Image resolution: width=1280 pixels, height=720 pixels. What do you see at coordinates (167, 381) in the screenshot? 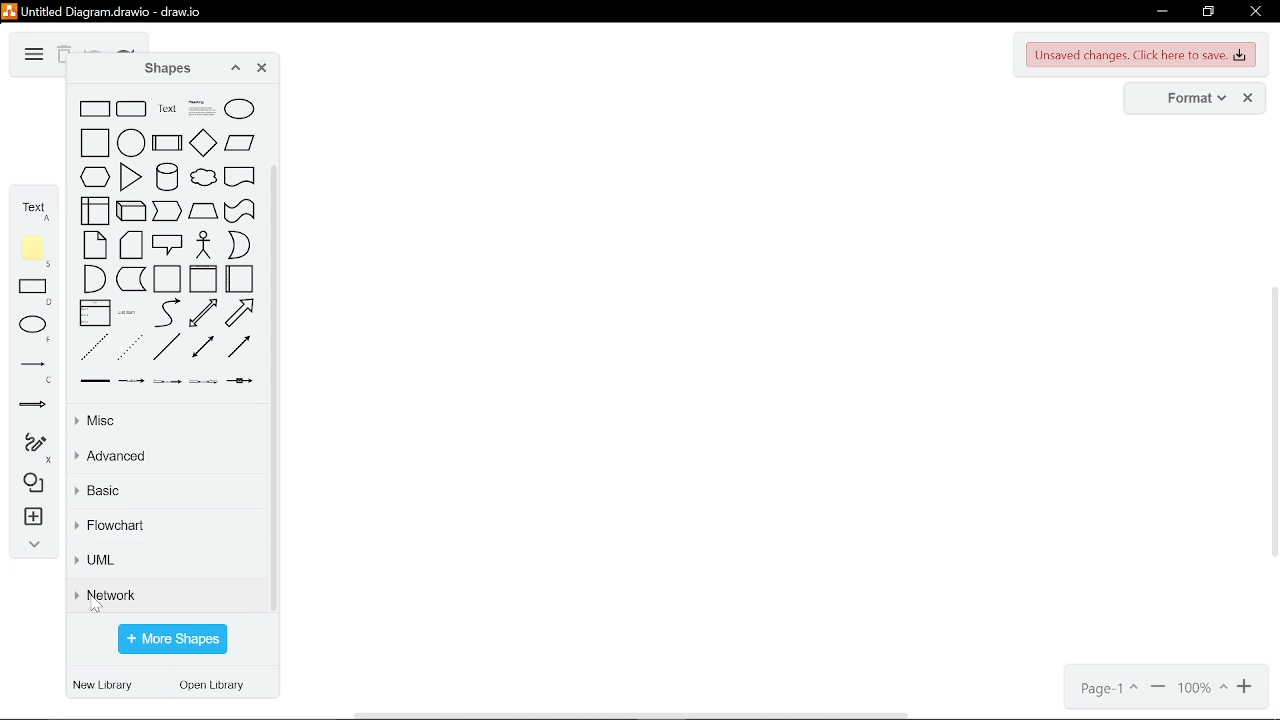
I see `connector with 2 labels` at bounding box center [167, 381].